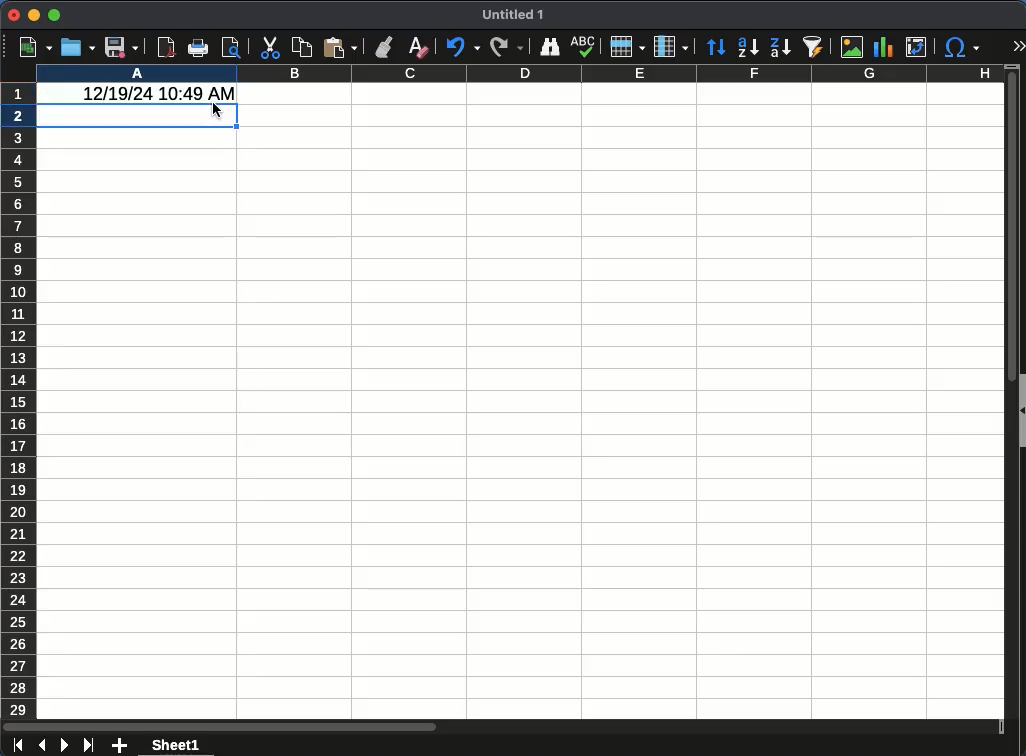 This screenshot has width=1026, height=756. What do you see at coordinates (747, 49) in the screenshot?
I see `ascending` at bounding box center [747, 49].